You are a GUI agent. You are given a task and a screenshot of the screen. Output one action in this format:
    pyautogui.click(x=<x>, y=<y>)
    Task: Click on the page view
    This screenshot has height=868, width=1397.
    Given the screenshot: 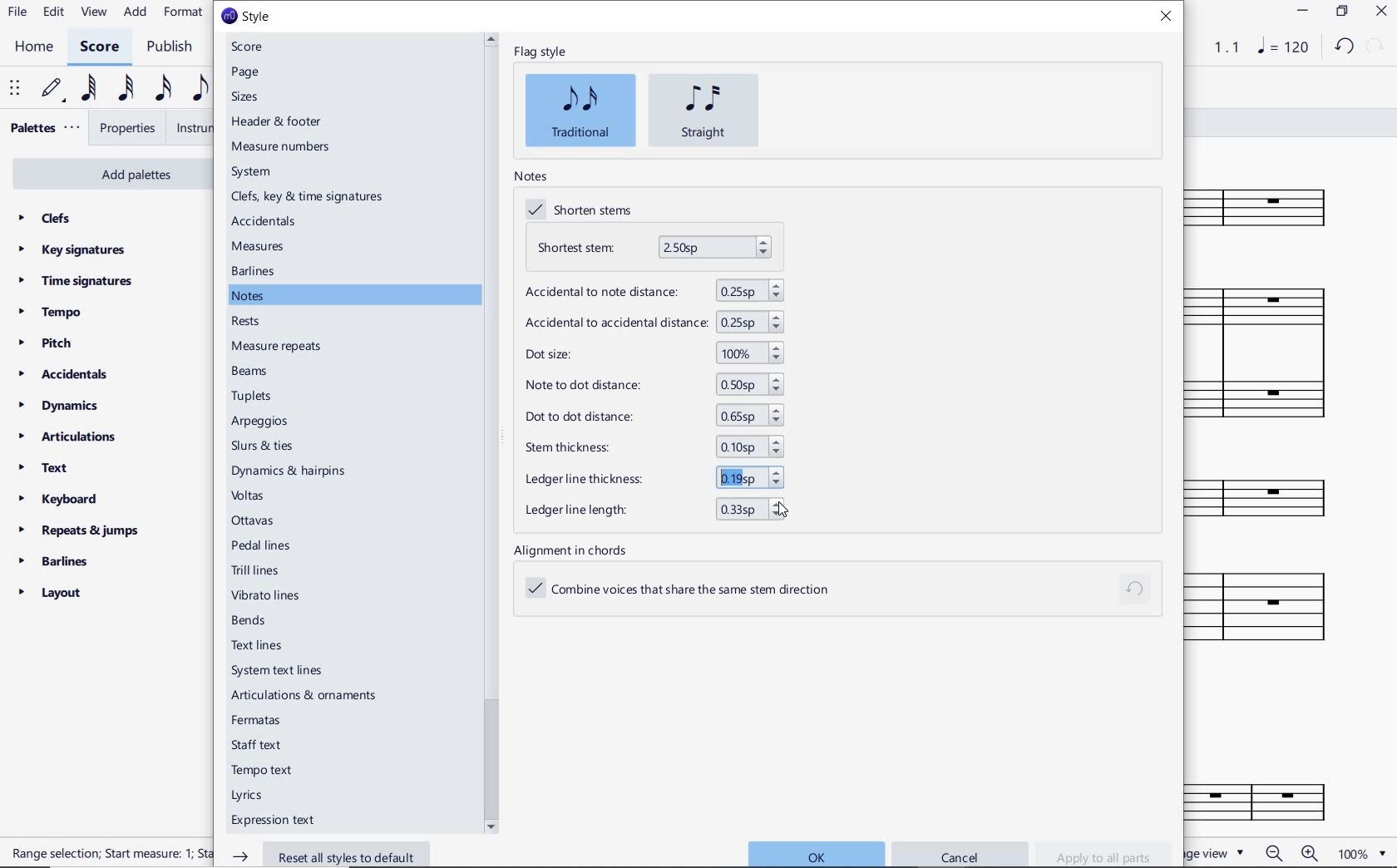 What is the action you would take?
    pyautogui.click(x=1215, y=852)
    